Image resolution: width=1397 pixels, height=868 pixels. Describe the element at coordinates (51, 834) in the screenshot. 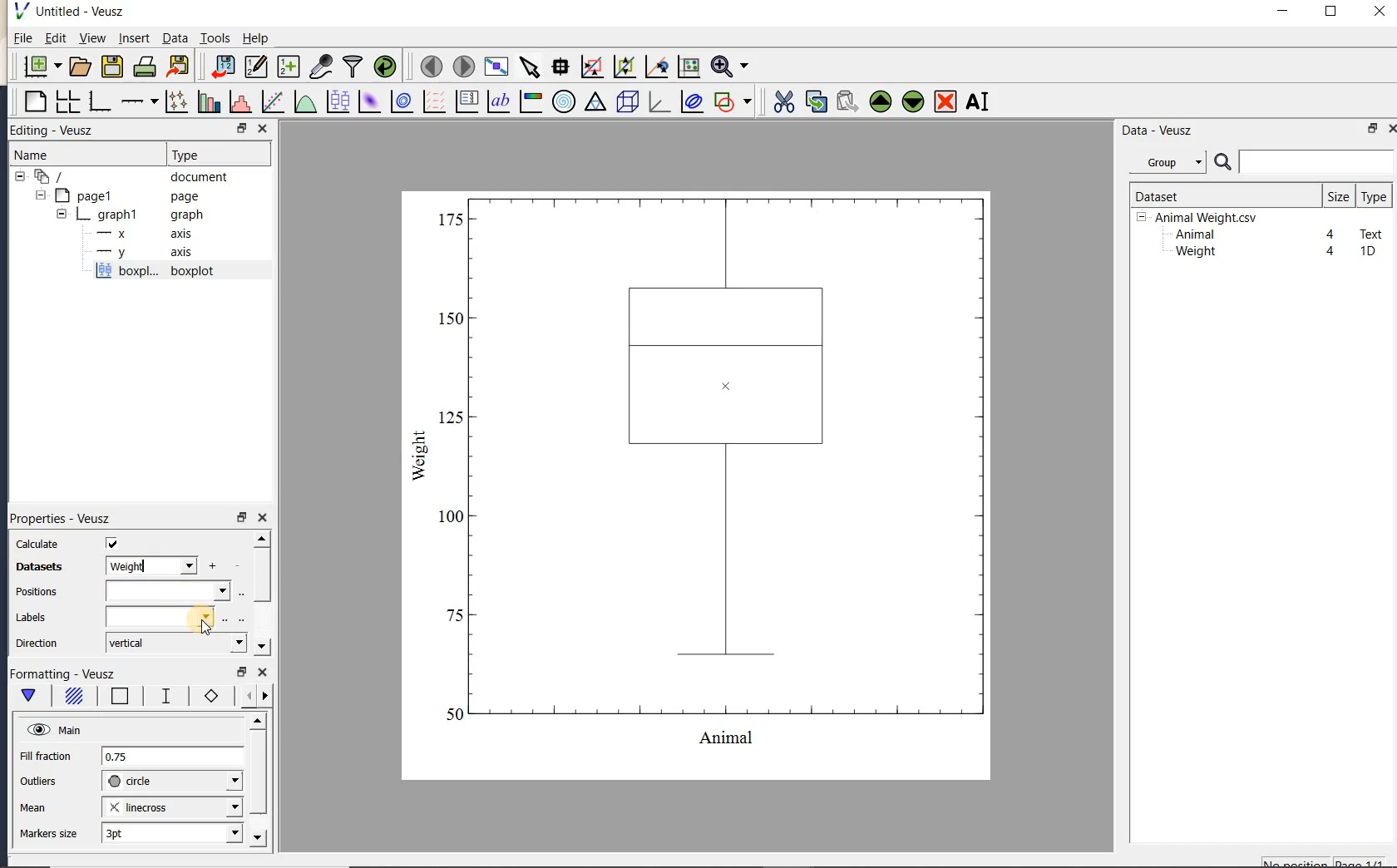

I see `markers size` at that location.